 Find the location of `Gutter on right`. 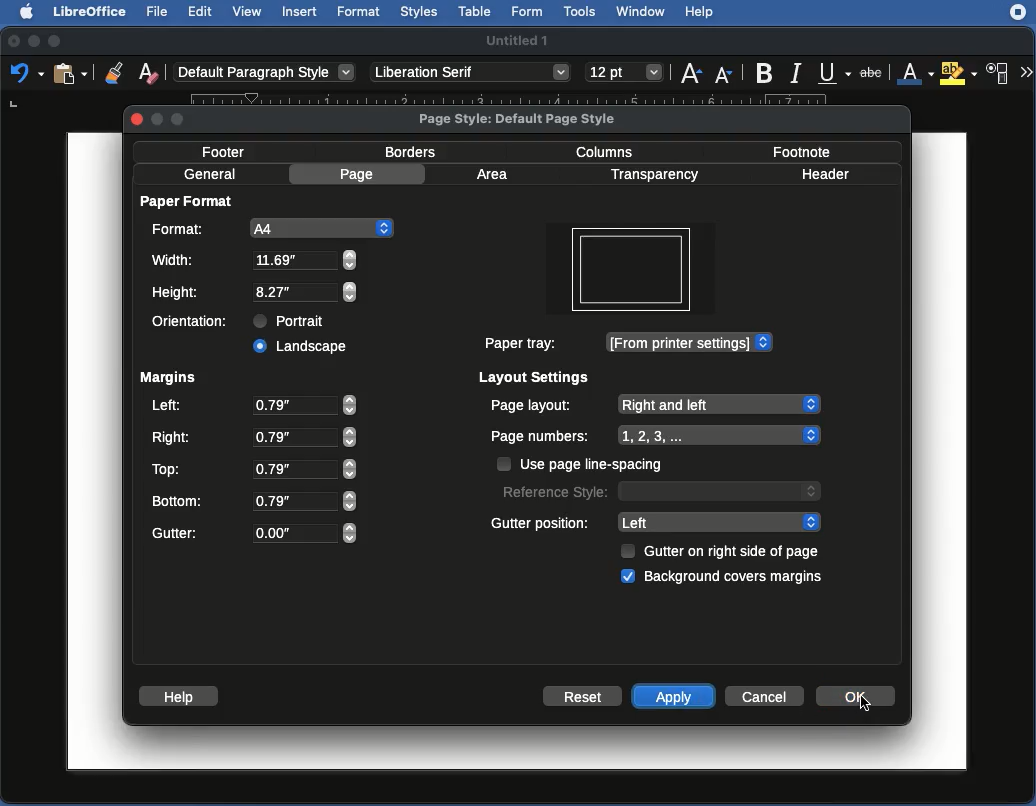

Gutter on right is located at coordinates (734, 552).